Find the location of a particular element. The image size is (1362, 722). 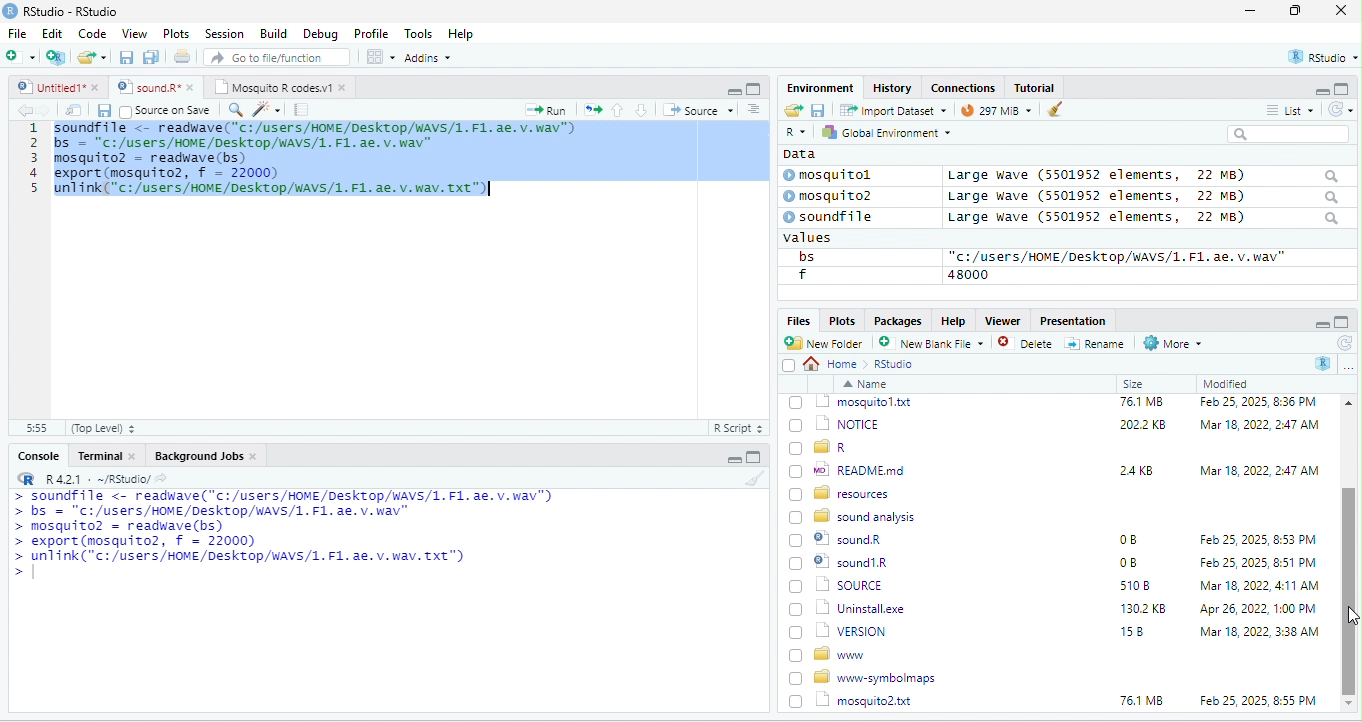

5108 is located at coordinates (1130, 680).